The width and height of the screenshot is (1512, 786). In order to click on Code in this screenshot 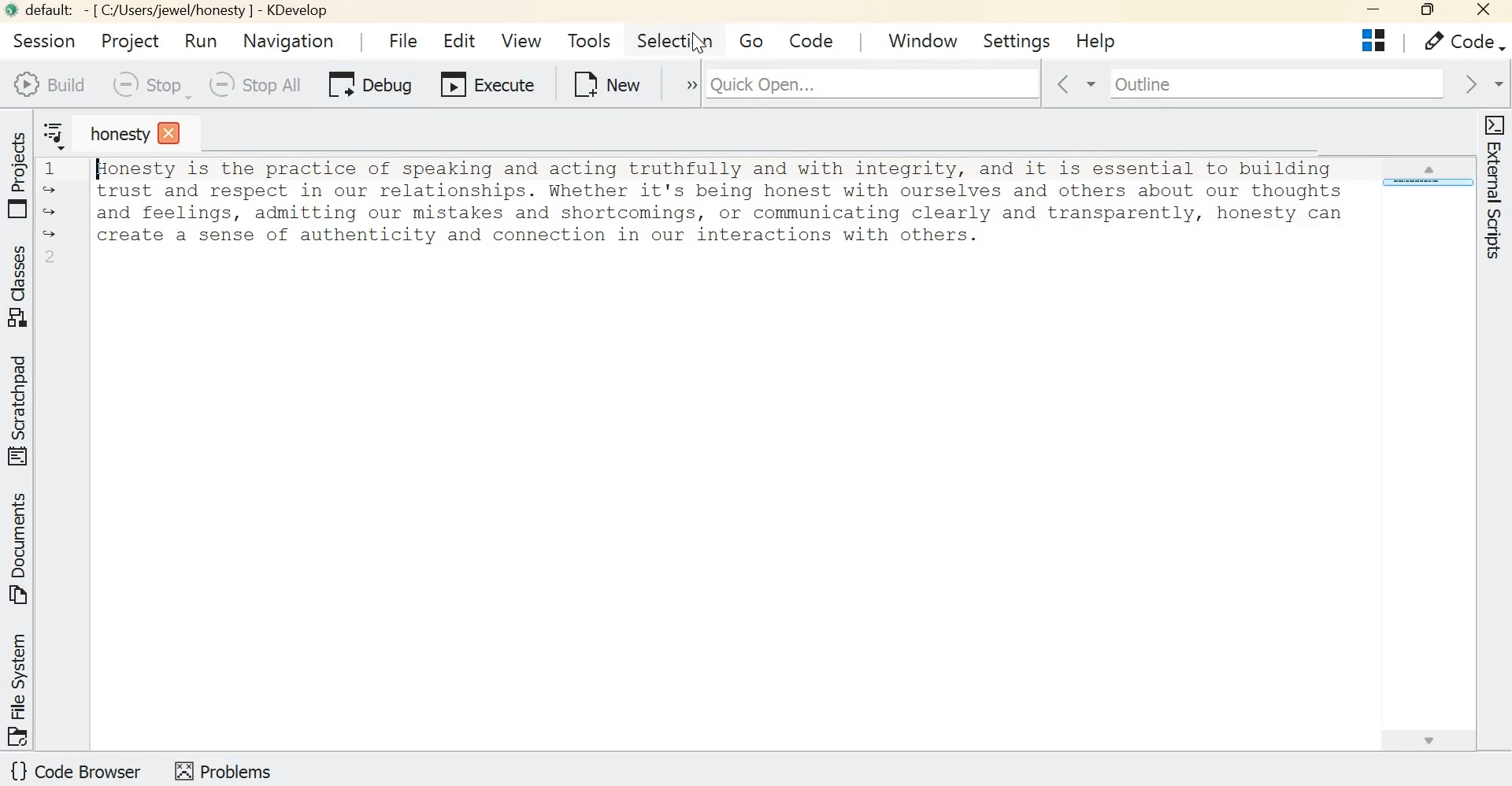, I will do `click(1458, 42)`.